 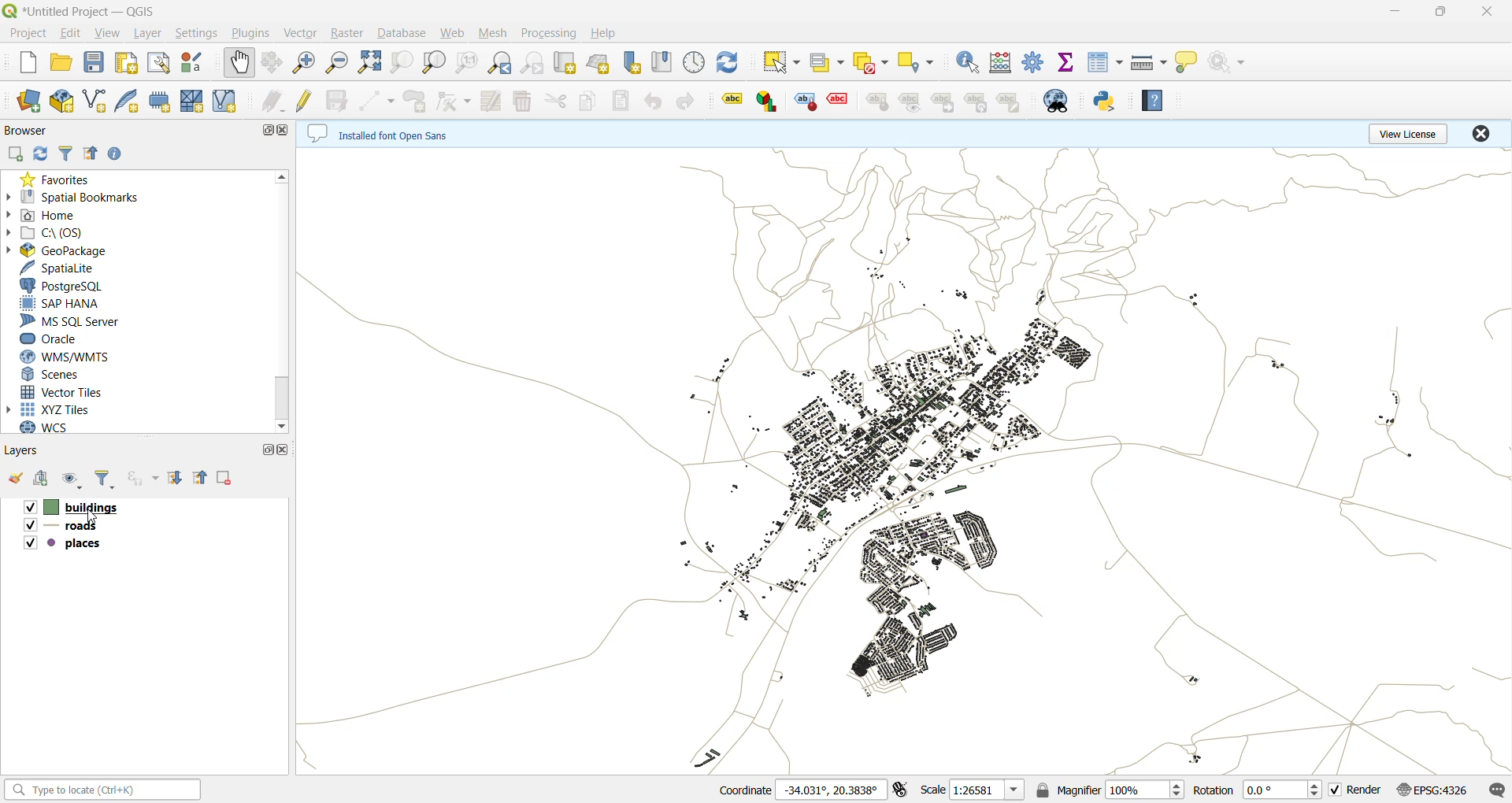 I want to click on xyz tiles, so click(x=80, y=411).